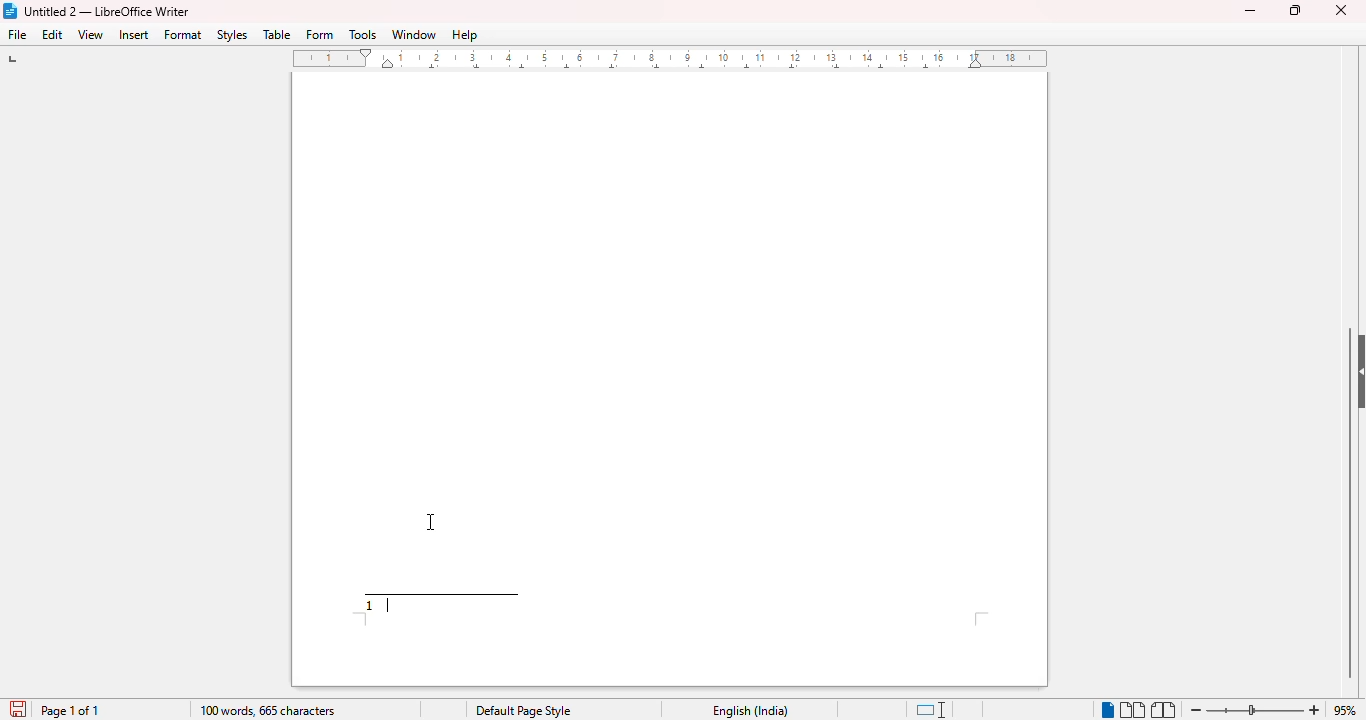  I want to click on single-page view, so click(1106, 710).